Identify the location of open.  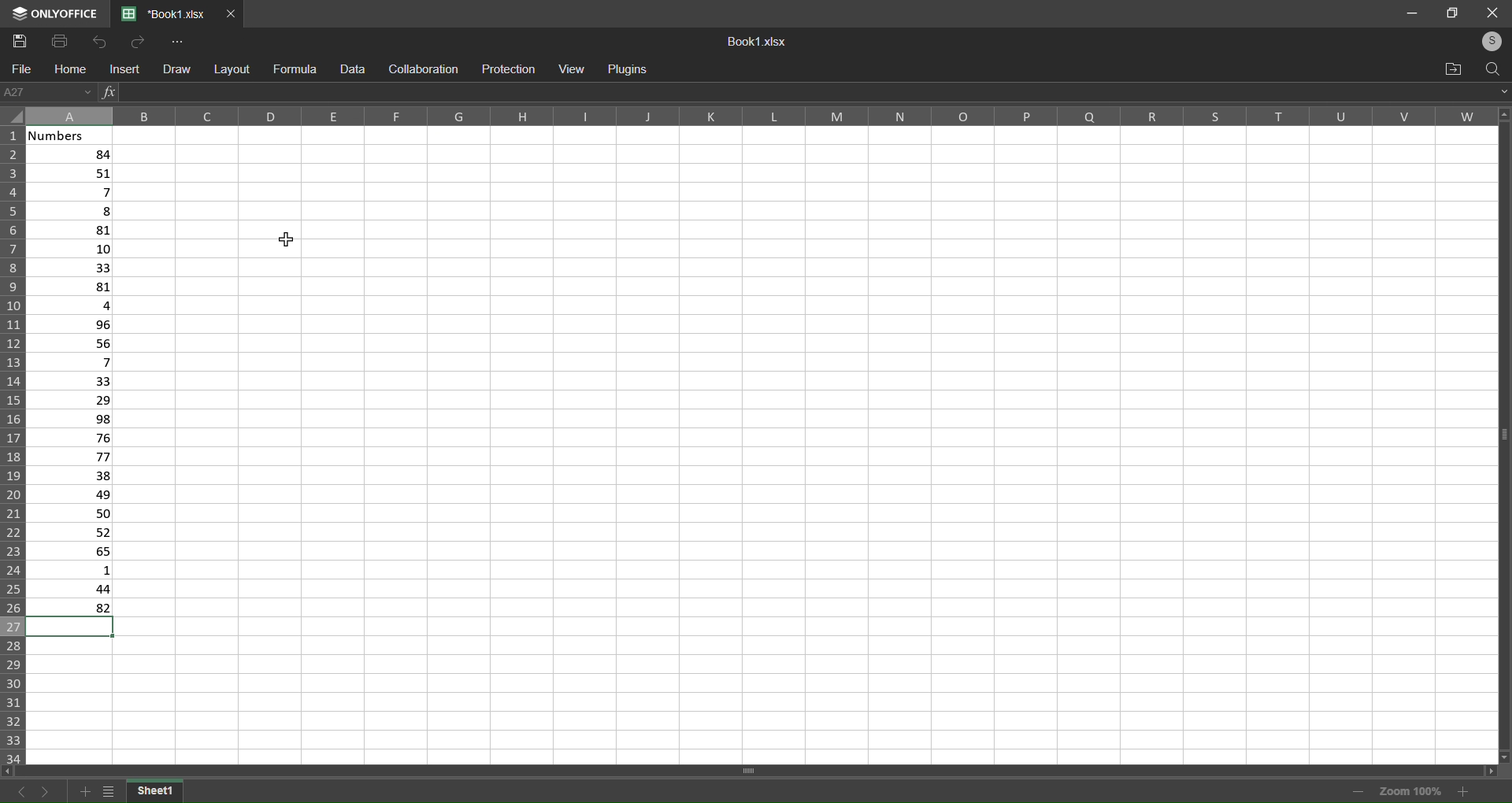
(1451, 67).